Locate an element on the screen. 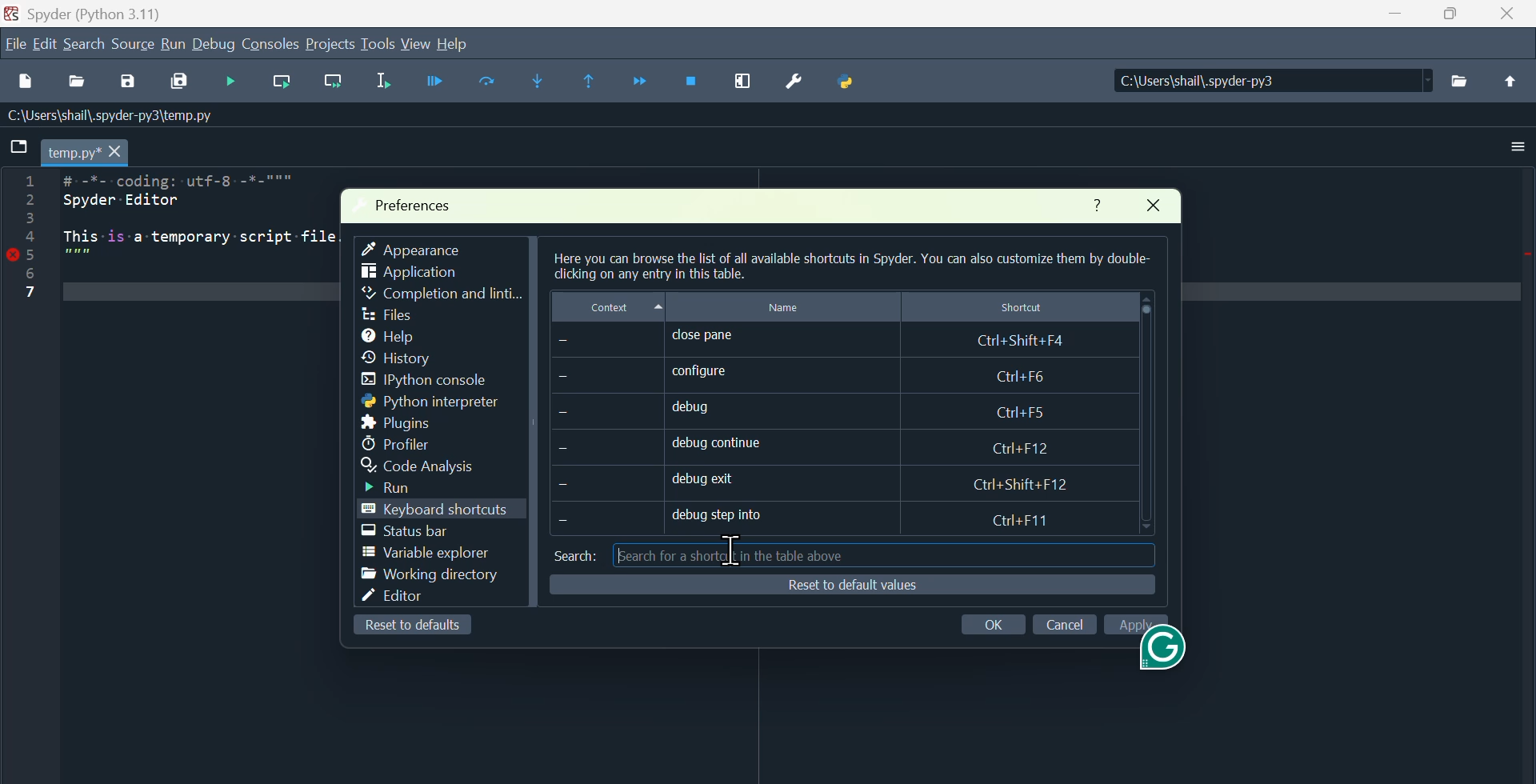 Image resolution: width=1536 pixels, height=784 pixels. Search is located at coordinates (87, 48).